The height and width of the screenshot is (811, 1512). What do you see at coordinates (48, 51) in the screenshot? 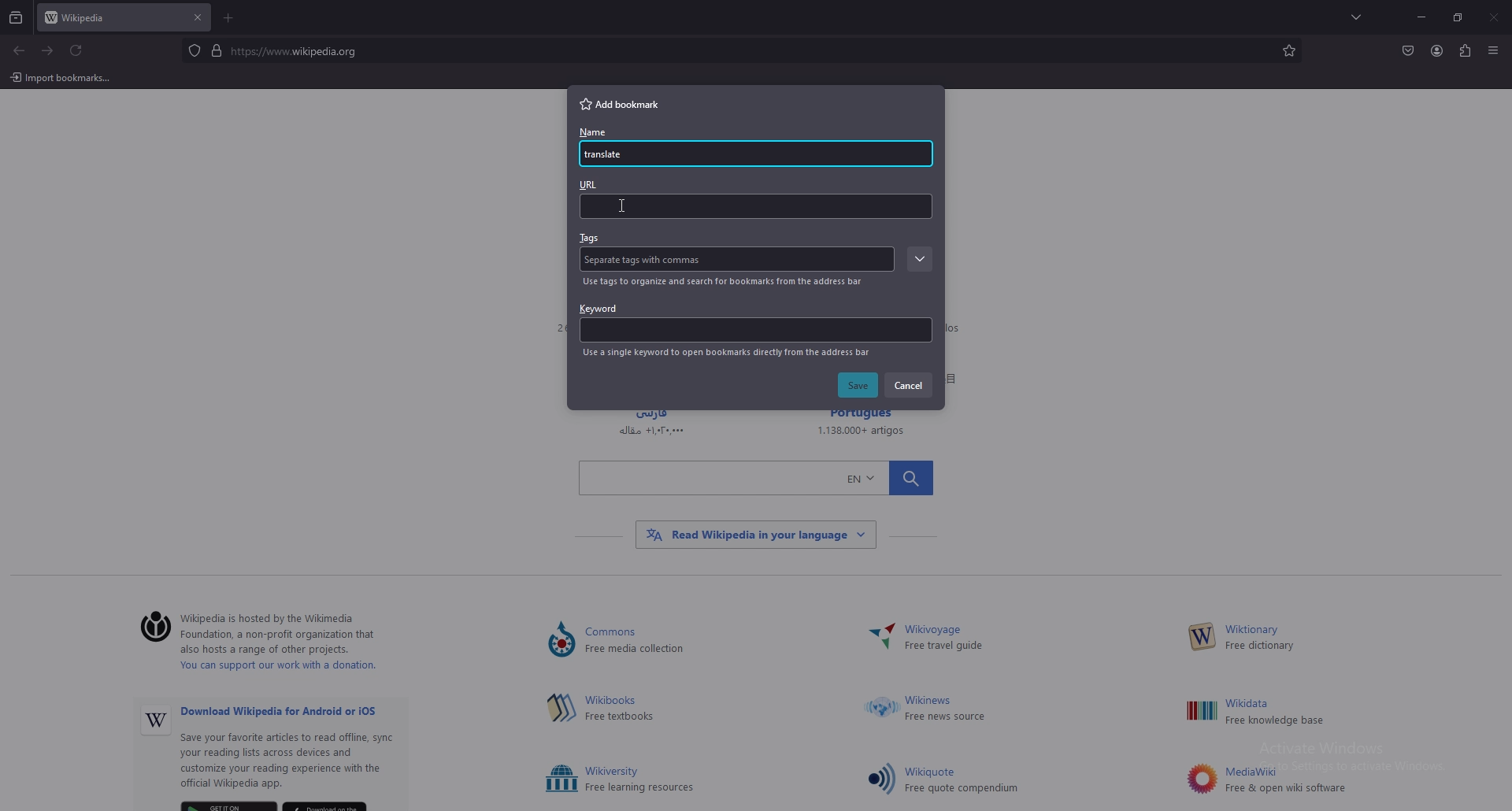
I see `forward` at bounding box center [48, 51].